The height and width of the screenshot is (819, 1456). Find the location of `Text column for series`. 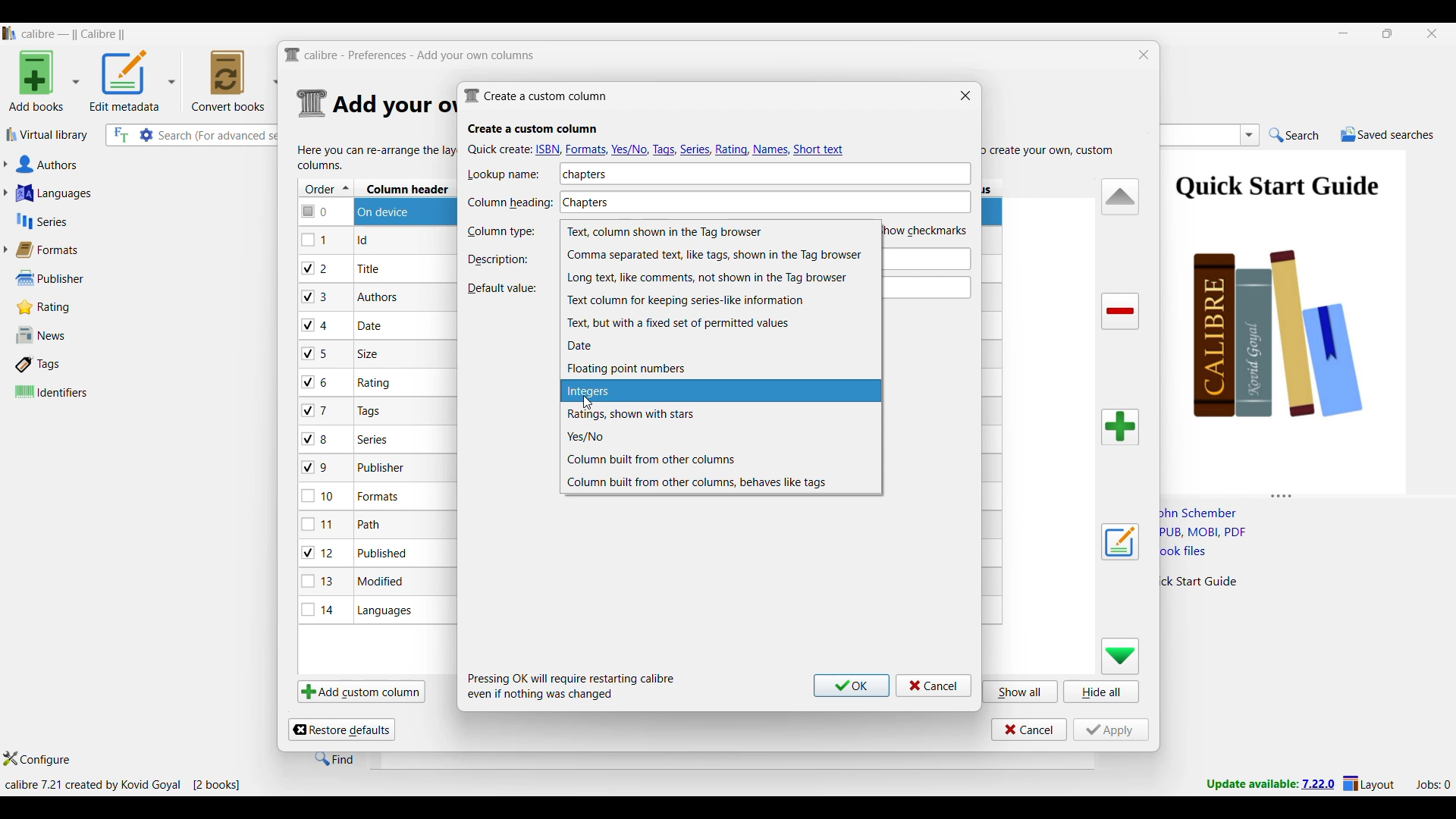

Text column for series is located at coordinates (720, 300).